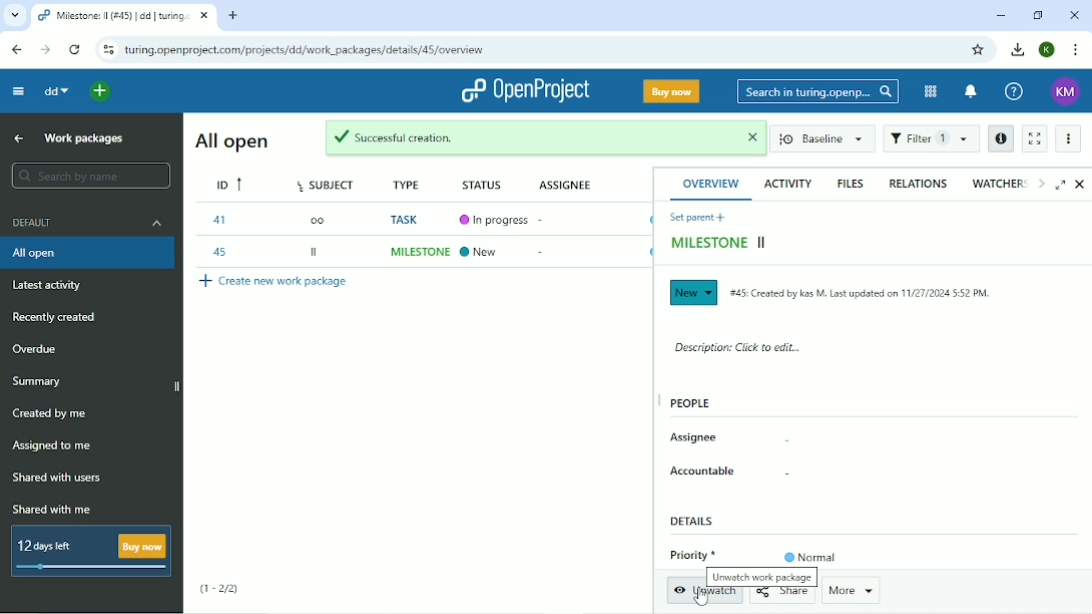 The image size is (1092, 614). I want to click on Reload this page, so click(76, 49).